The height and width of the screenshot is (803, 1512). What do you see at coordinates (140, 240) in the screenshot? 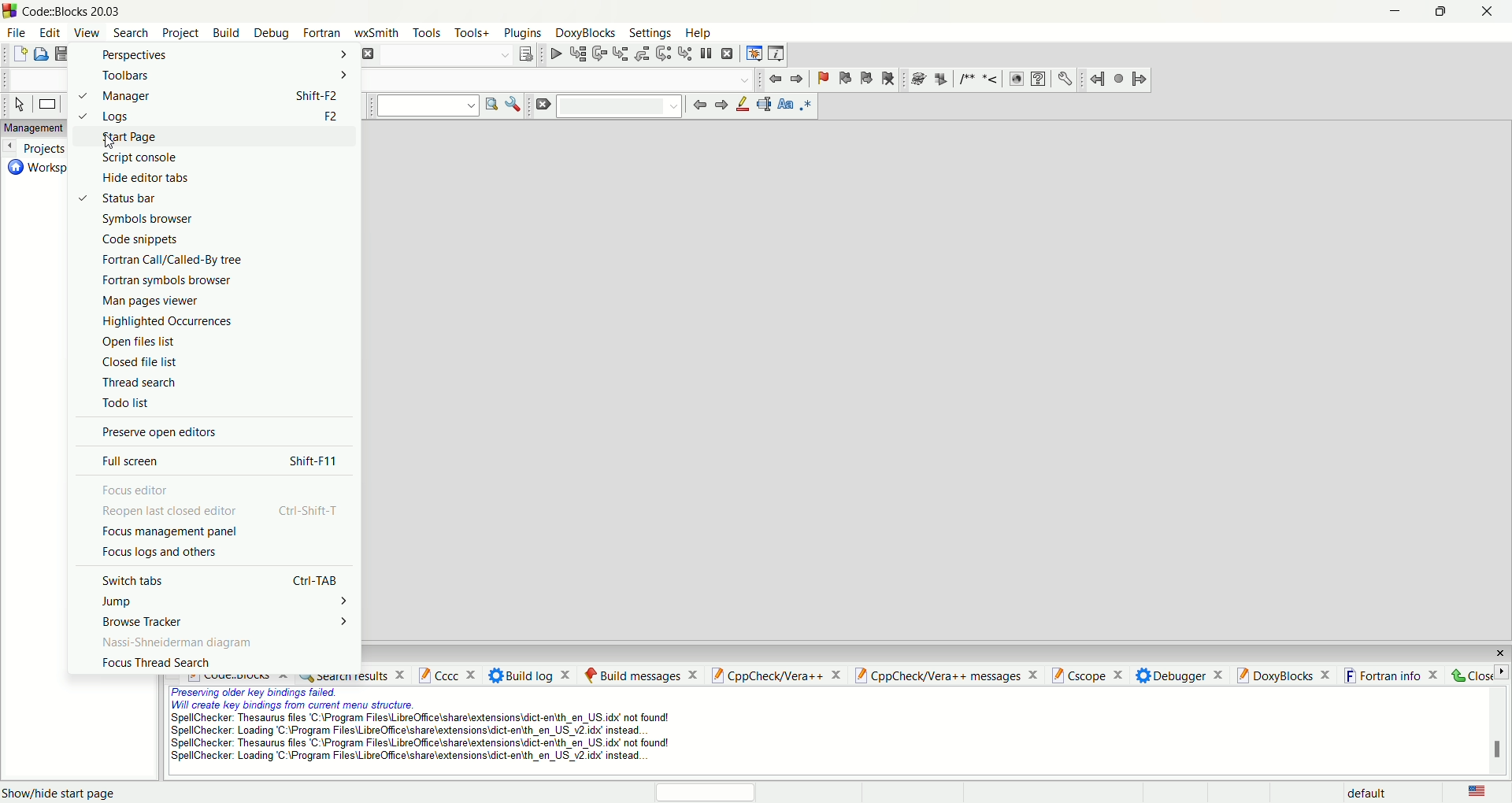
I see `code snippets` at bounding box center [140, 240].